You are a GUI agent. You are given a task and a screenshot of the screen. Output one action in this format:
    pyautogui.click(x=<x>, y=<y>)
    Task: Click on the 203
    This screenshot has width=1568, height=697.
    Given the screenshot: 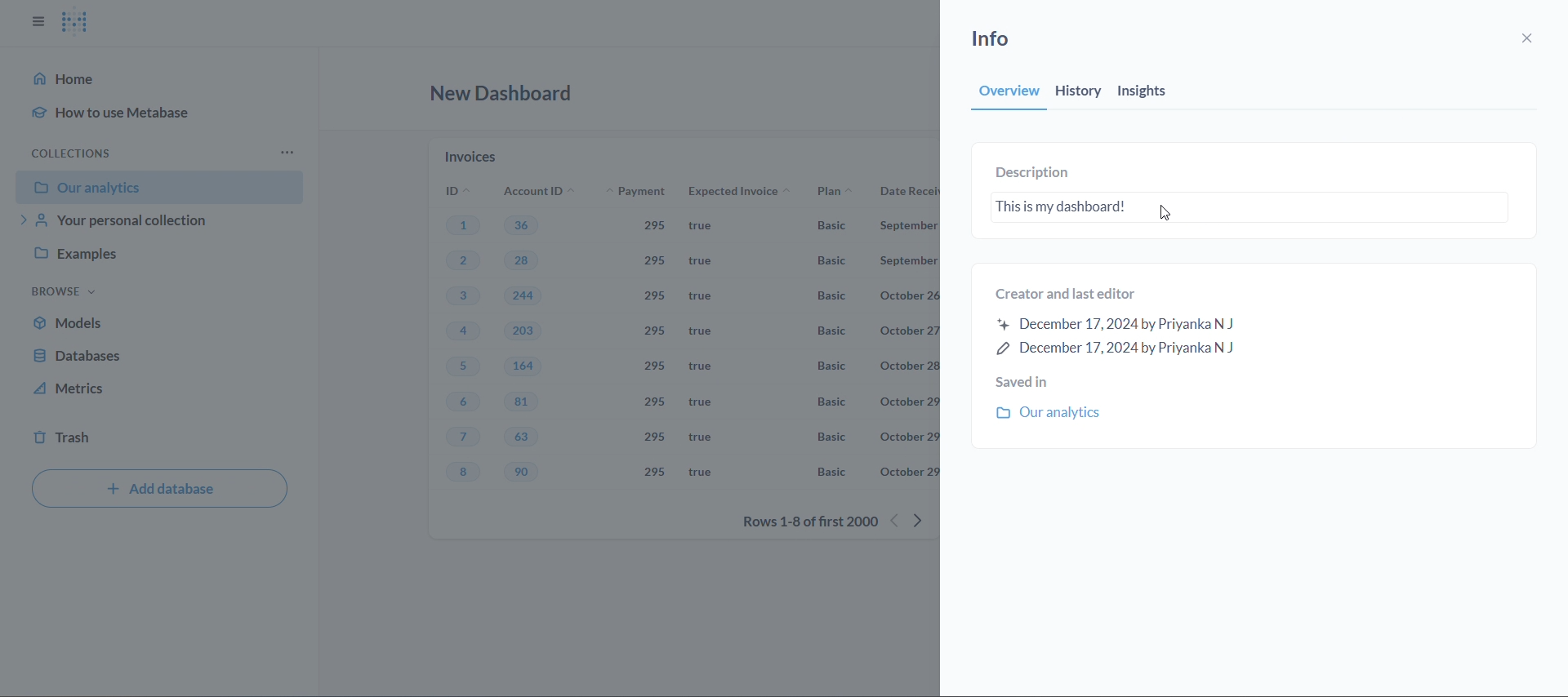 What is the action you would take?
    pyautogui.click(x=526, y=332)
    